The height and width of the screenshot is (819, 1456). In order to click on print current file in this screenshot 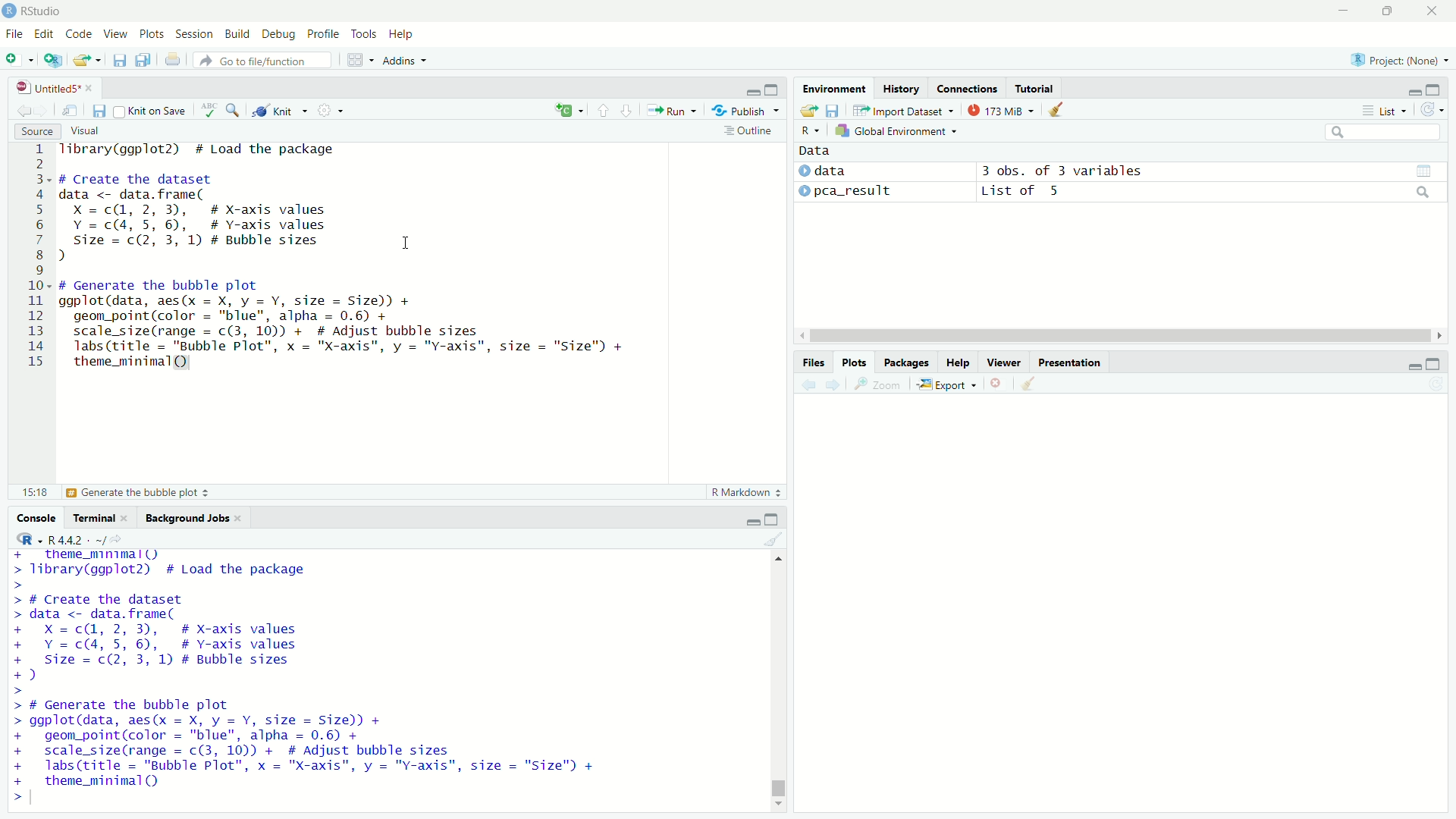, I will do `click(173, 59)`.